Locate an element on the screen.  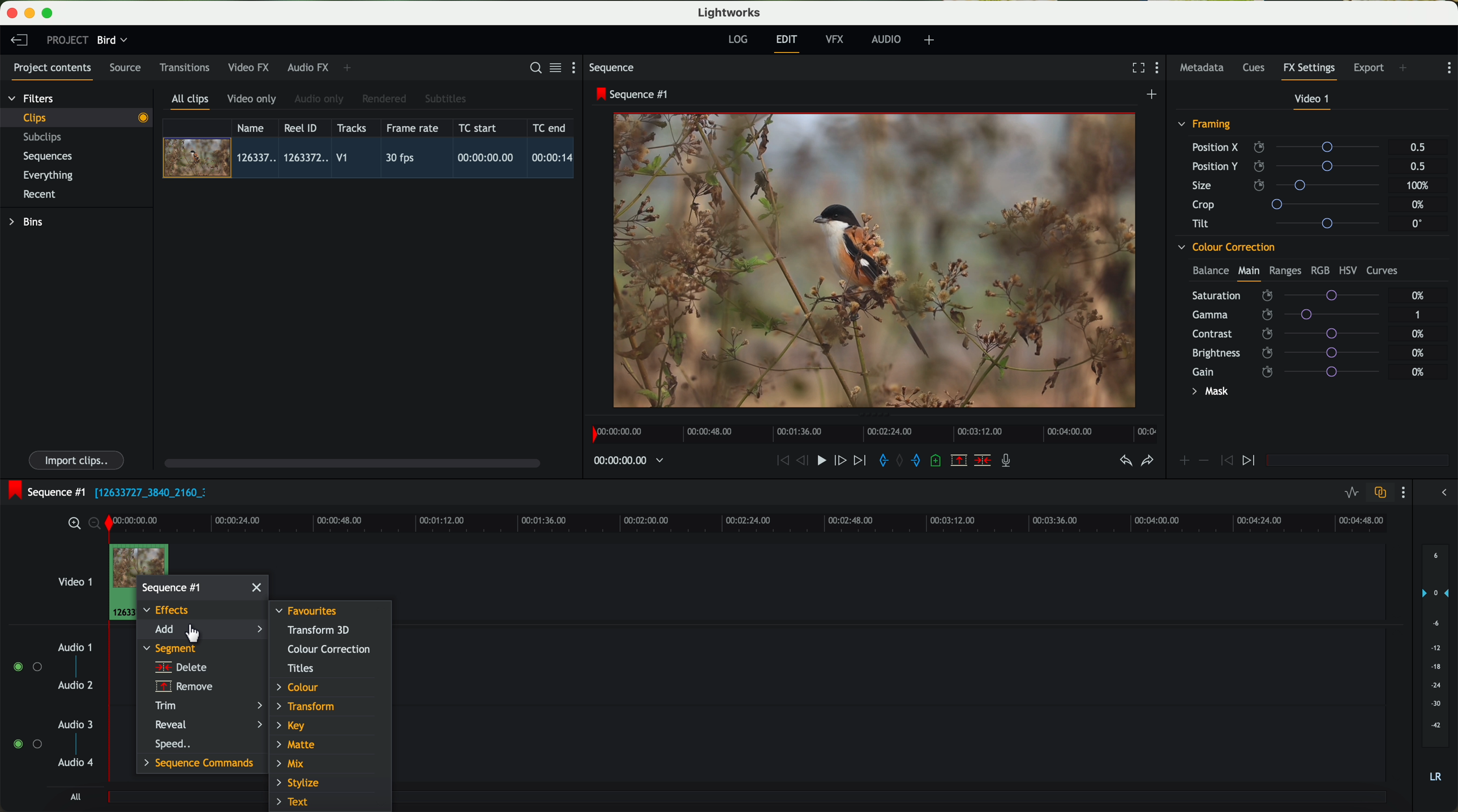
search for assets or bins is located at coordinates (532, 68).